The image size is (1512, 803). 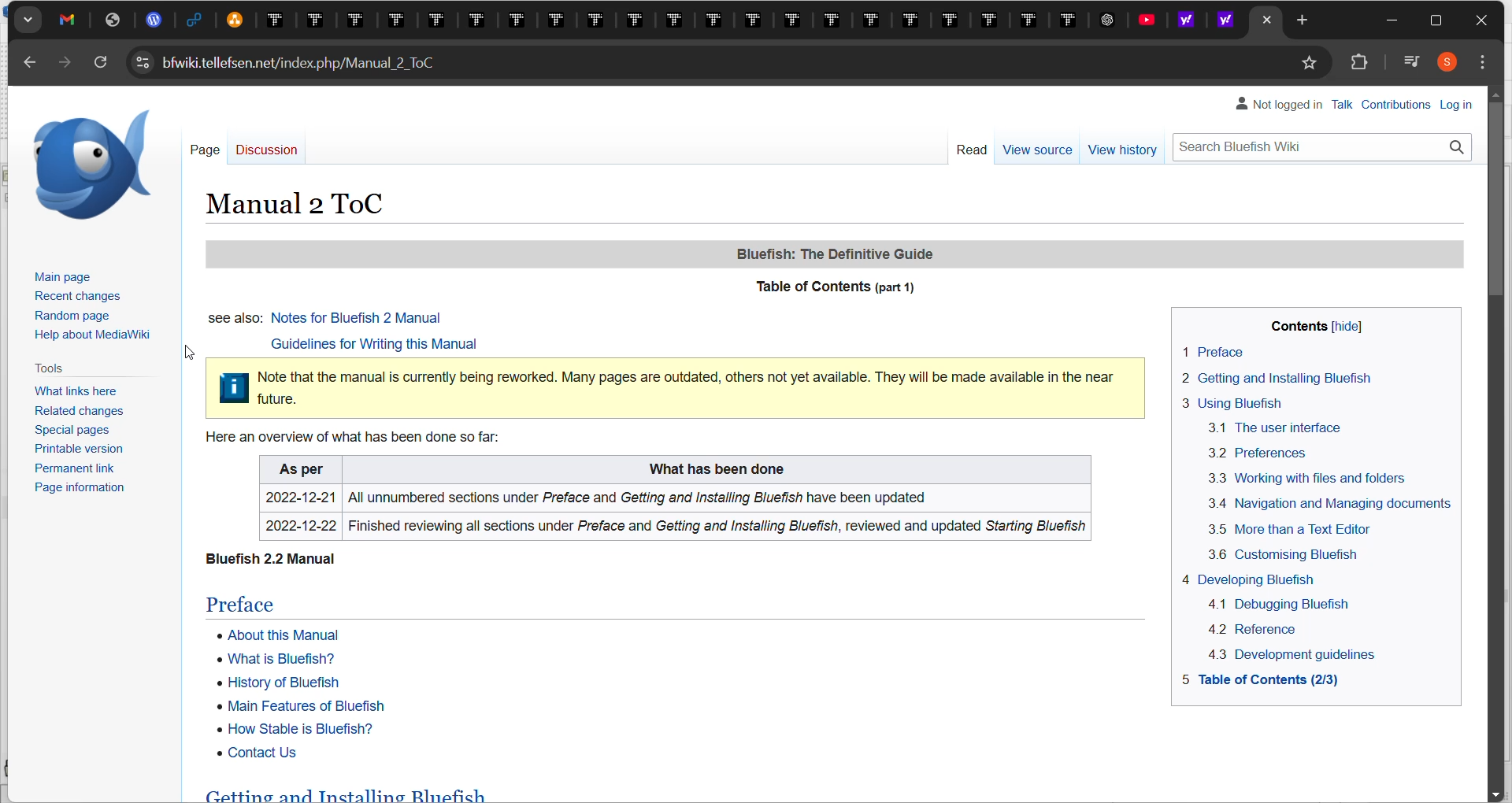 What do you see at coordinates (1280, 105) in the screenshot?
I see `not logged in` at bounding box center [1280, 105].